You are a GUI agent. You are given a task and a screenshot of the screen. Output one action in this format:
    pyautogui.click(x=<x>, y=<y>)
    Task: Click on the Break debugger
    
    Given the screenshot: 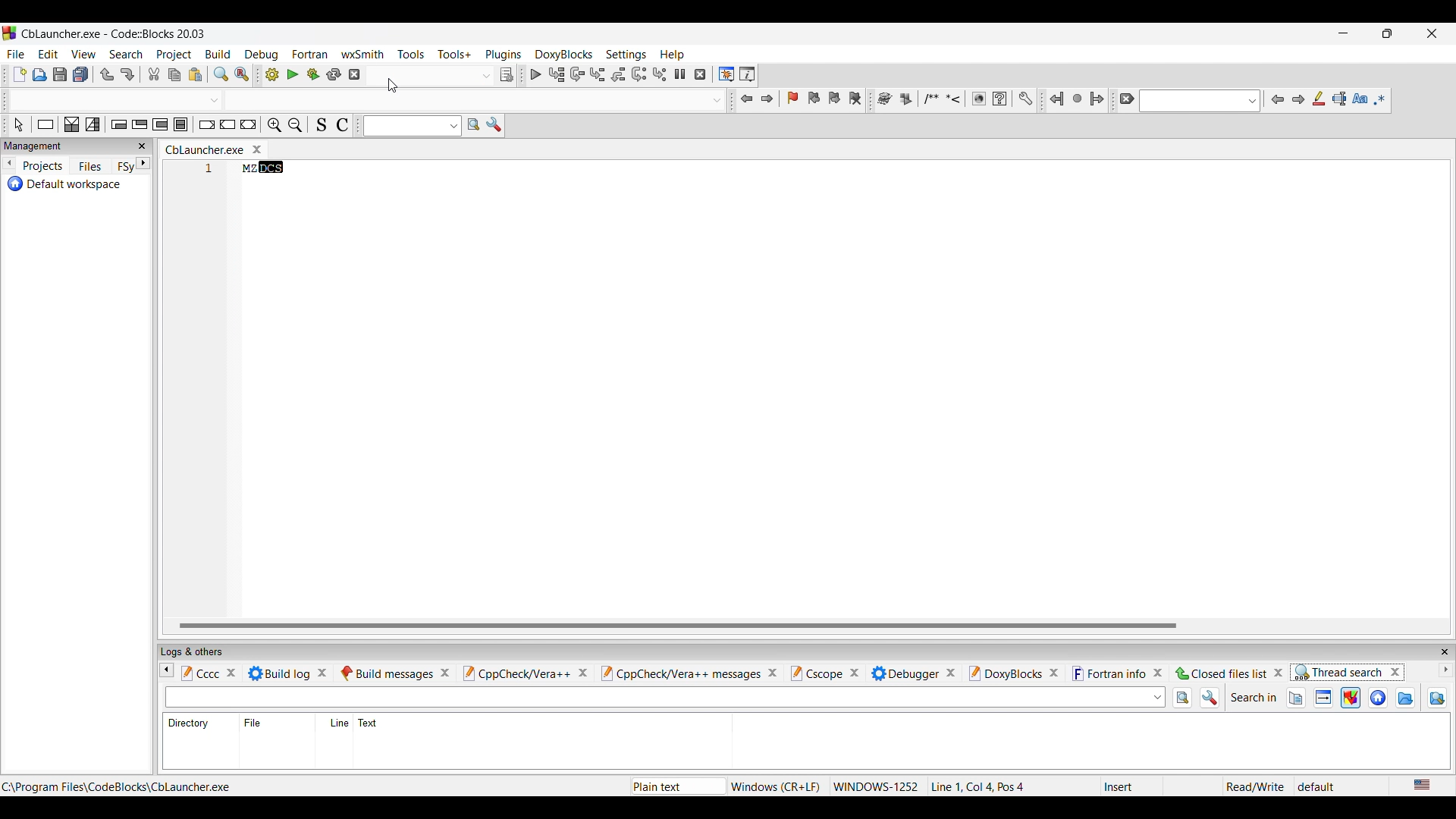 What is the action you would take?
    pyautogui.click(x=680, y=74)
    